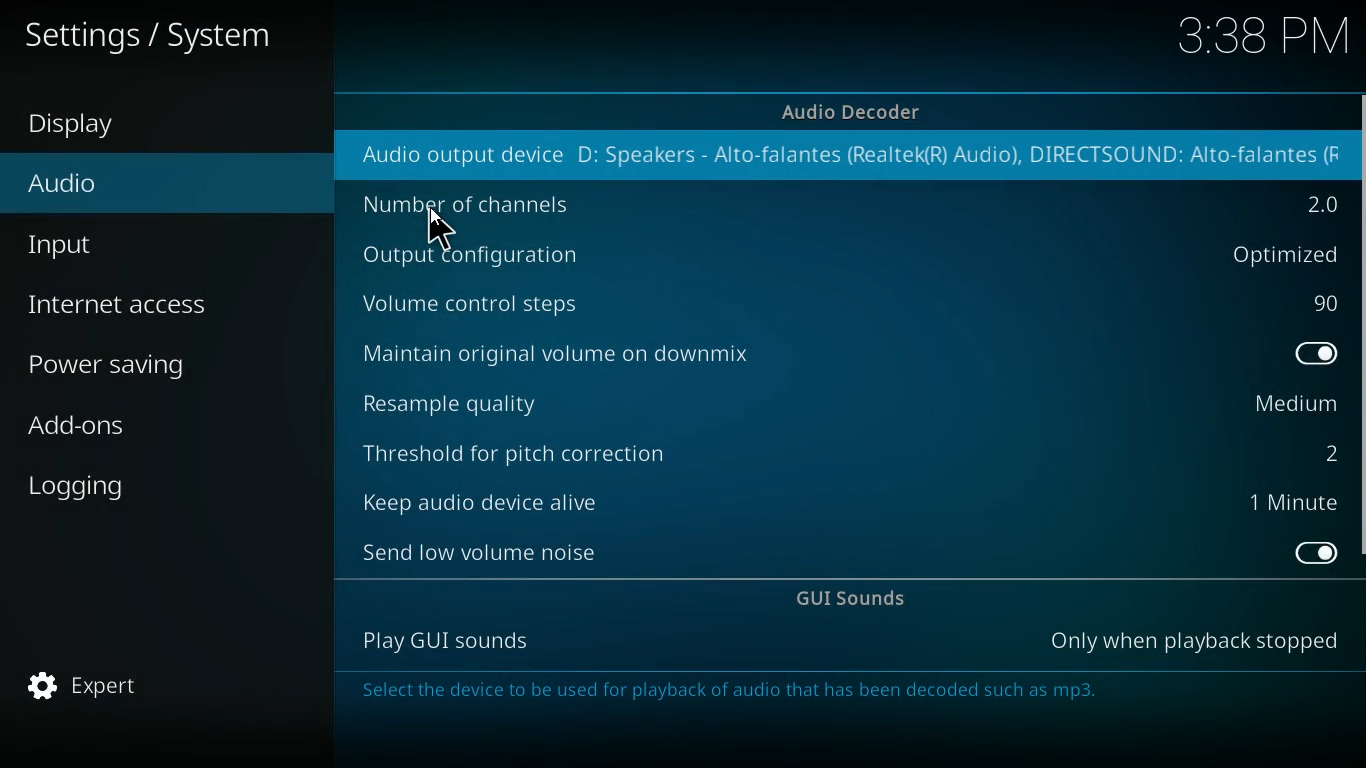 This screenshot has width=1366, height=768. Describe the element at coordinates (486, 400) in the screenshot. I see `resample quality` at that location.